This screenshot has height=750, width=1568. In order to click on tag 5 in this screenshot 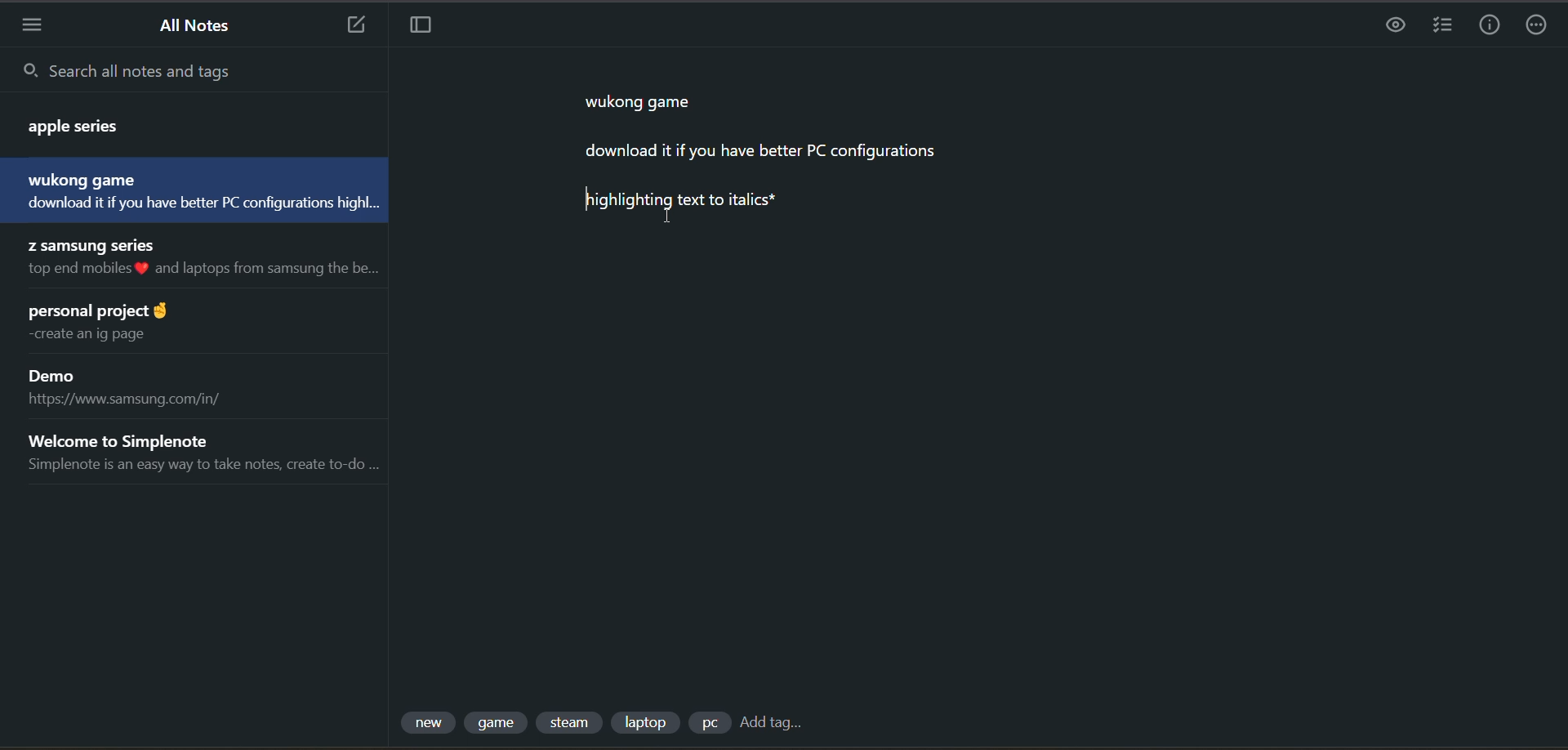, I will do `click(708, 723)`.